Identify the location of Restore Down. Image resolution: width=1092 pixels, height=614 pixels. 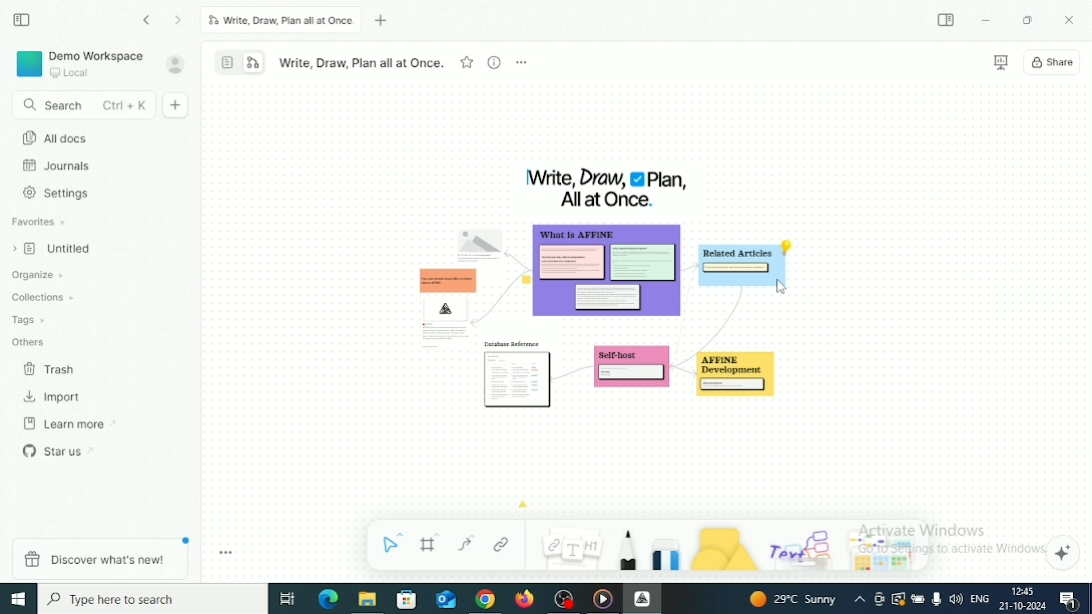
(1029, 20).